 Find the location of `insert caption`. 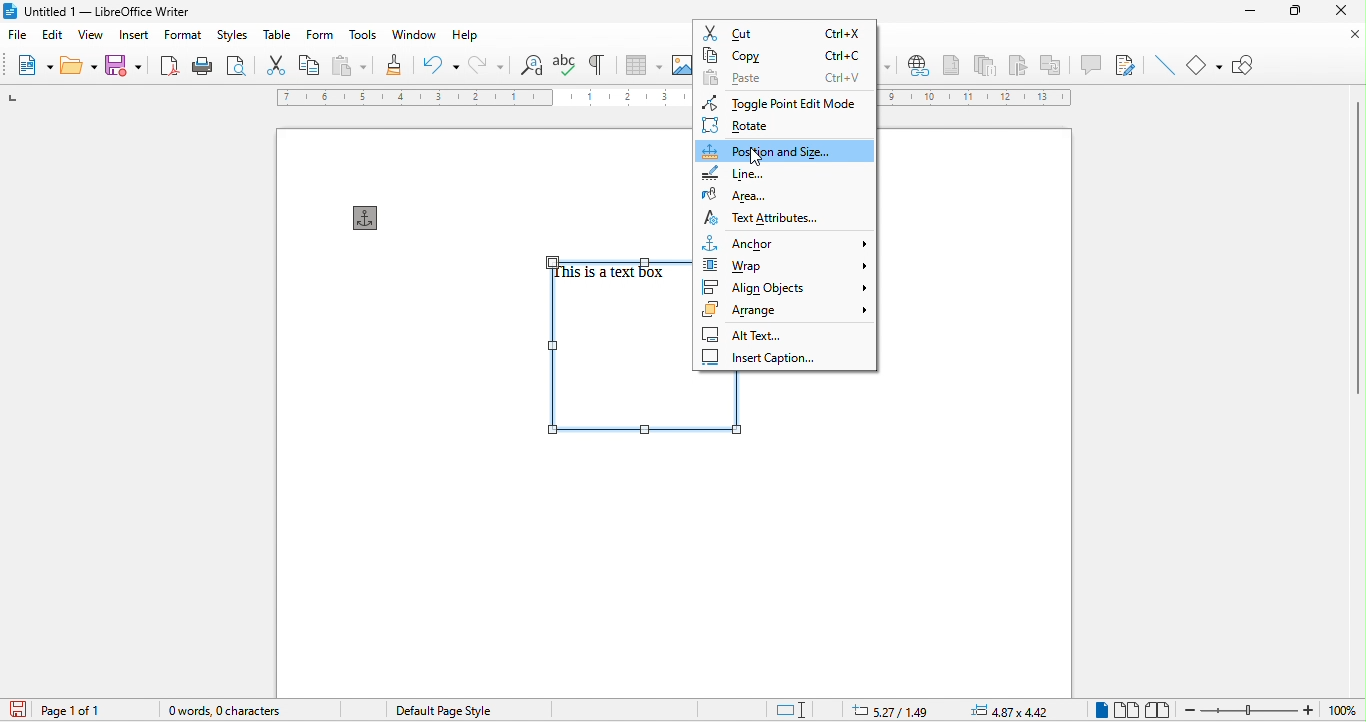

insert caption is located at coordinates (765, 356).